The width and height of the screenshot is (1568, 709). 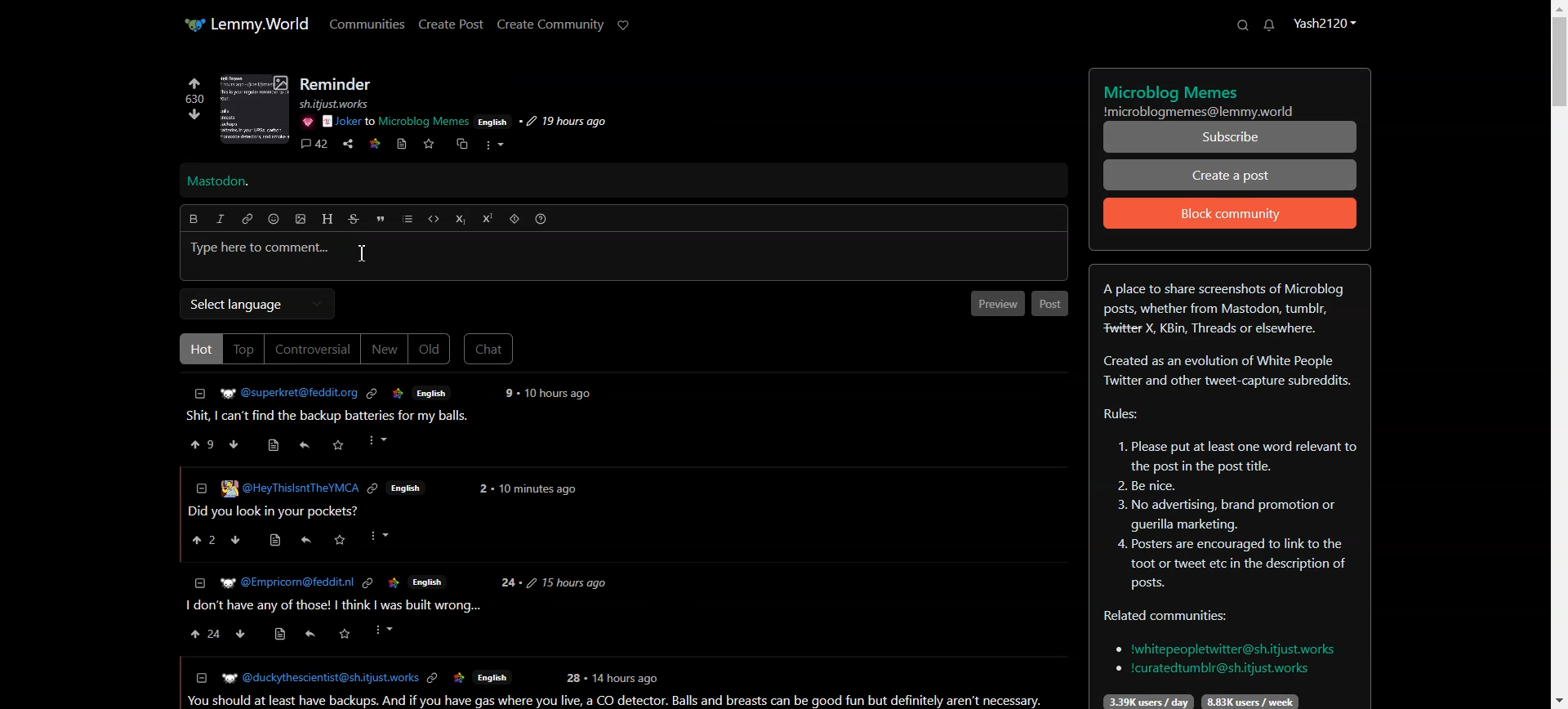 I want to click on Text, so click(x=218, y=182).